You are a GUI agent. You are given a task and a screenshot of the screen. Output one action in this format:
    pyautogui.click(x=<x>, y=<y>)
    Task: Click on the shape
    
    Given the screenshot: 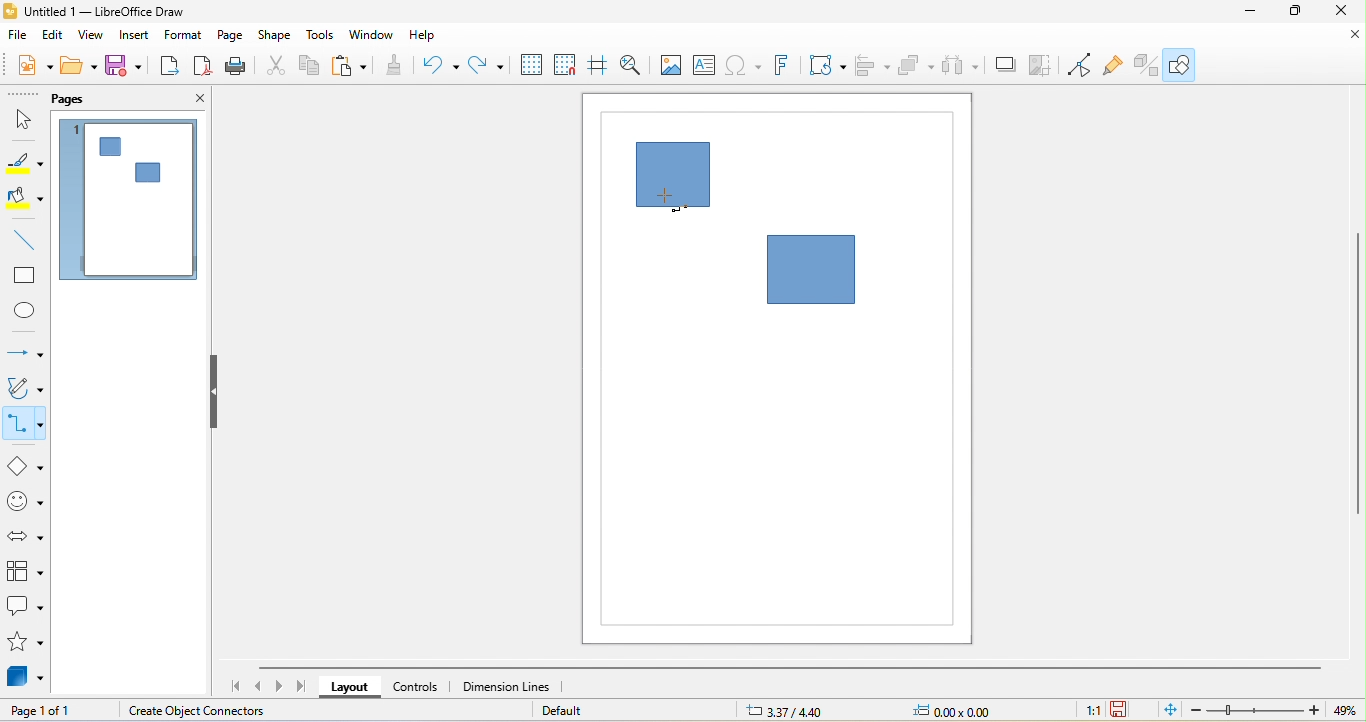 What is the action you would take?
    pyautogui.click(x=274, y=36)
    